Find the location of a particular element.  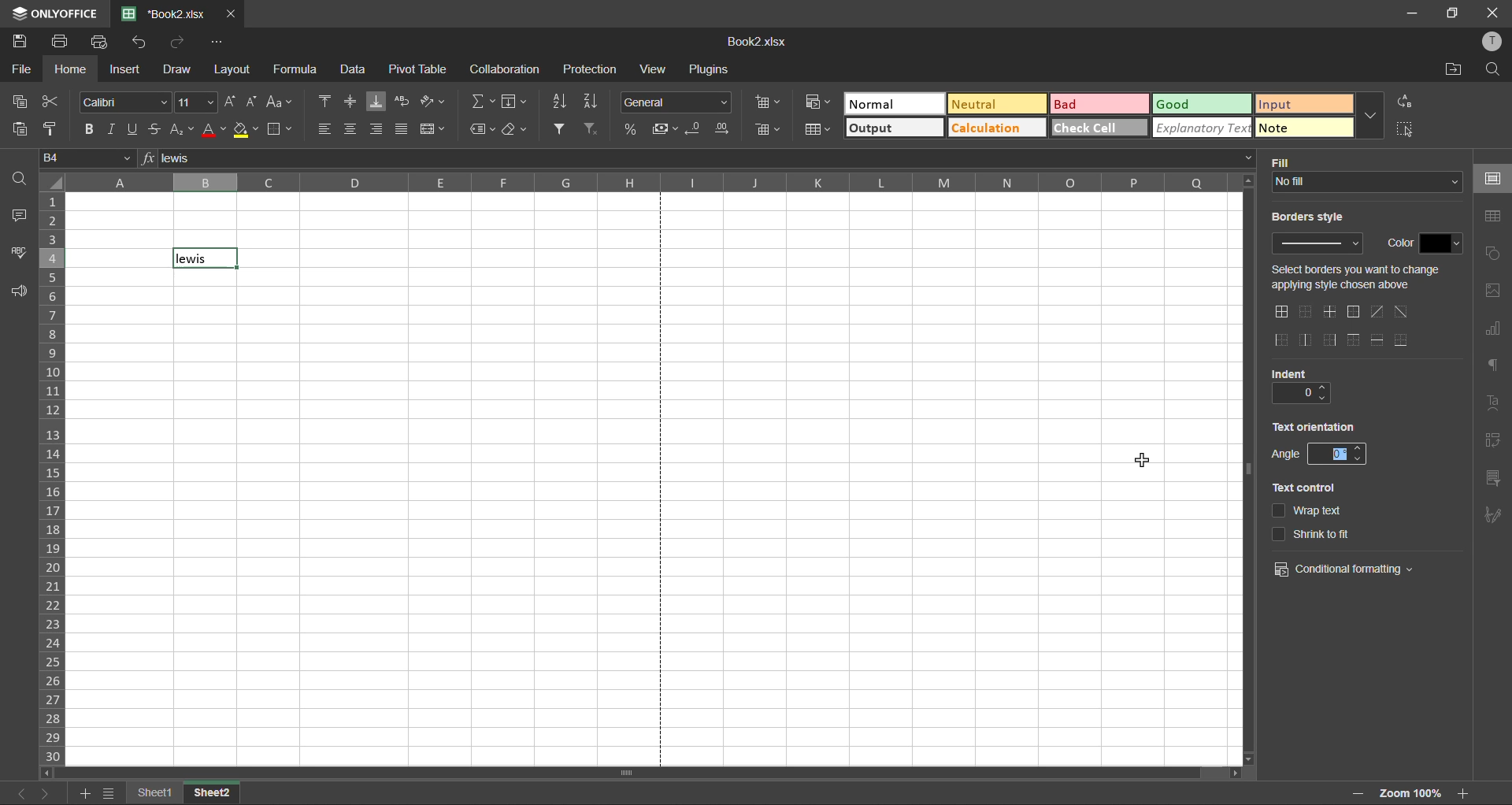

no borders is located at coordinates (1304, 310).